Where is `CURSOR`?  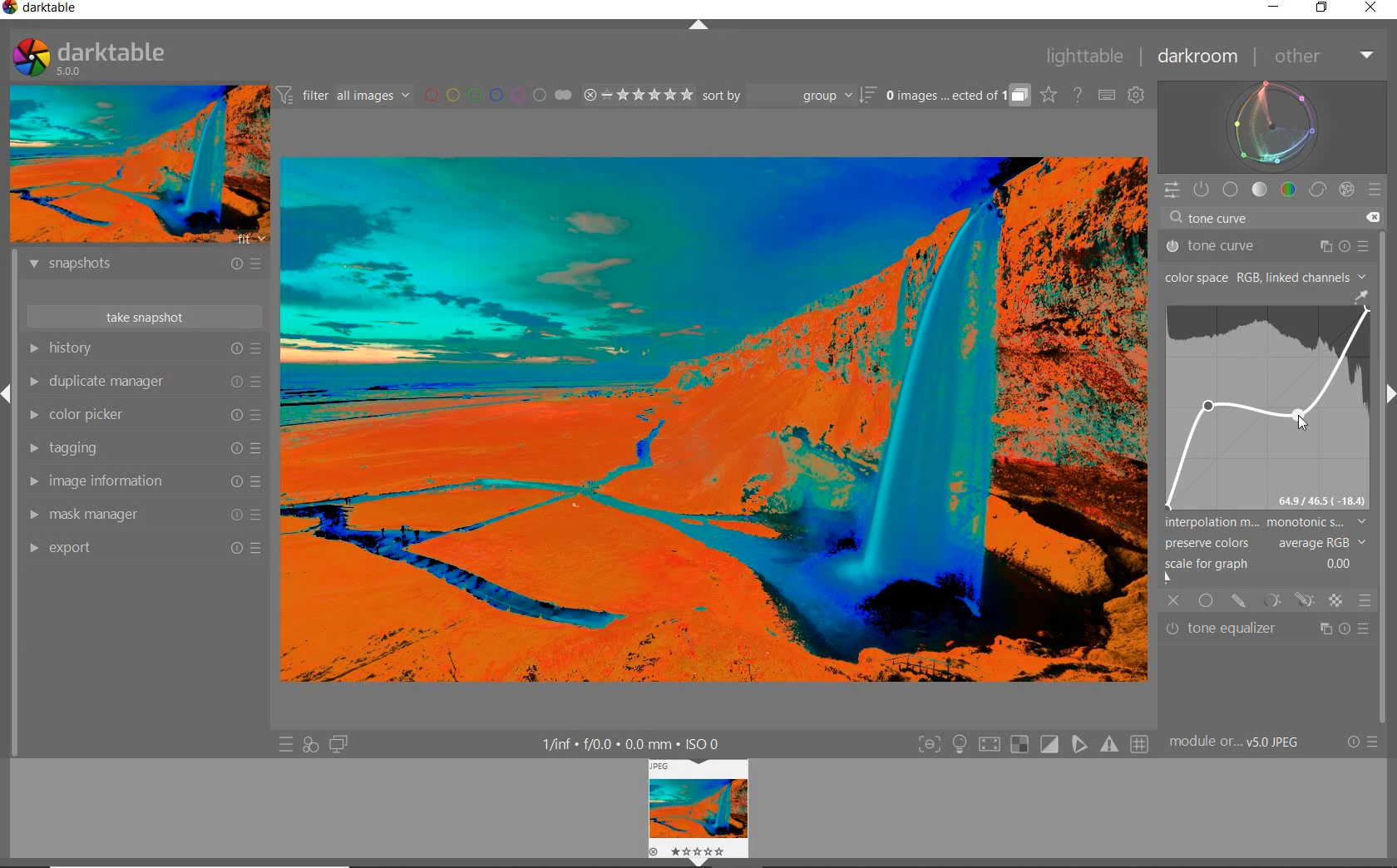
CURSOR is located at coordinates (1301, 418).